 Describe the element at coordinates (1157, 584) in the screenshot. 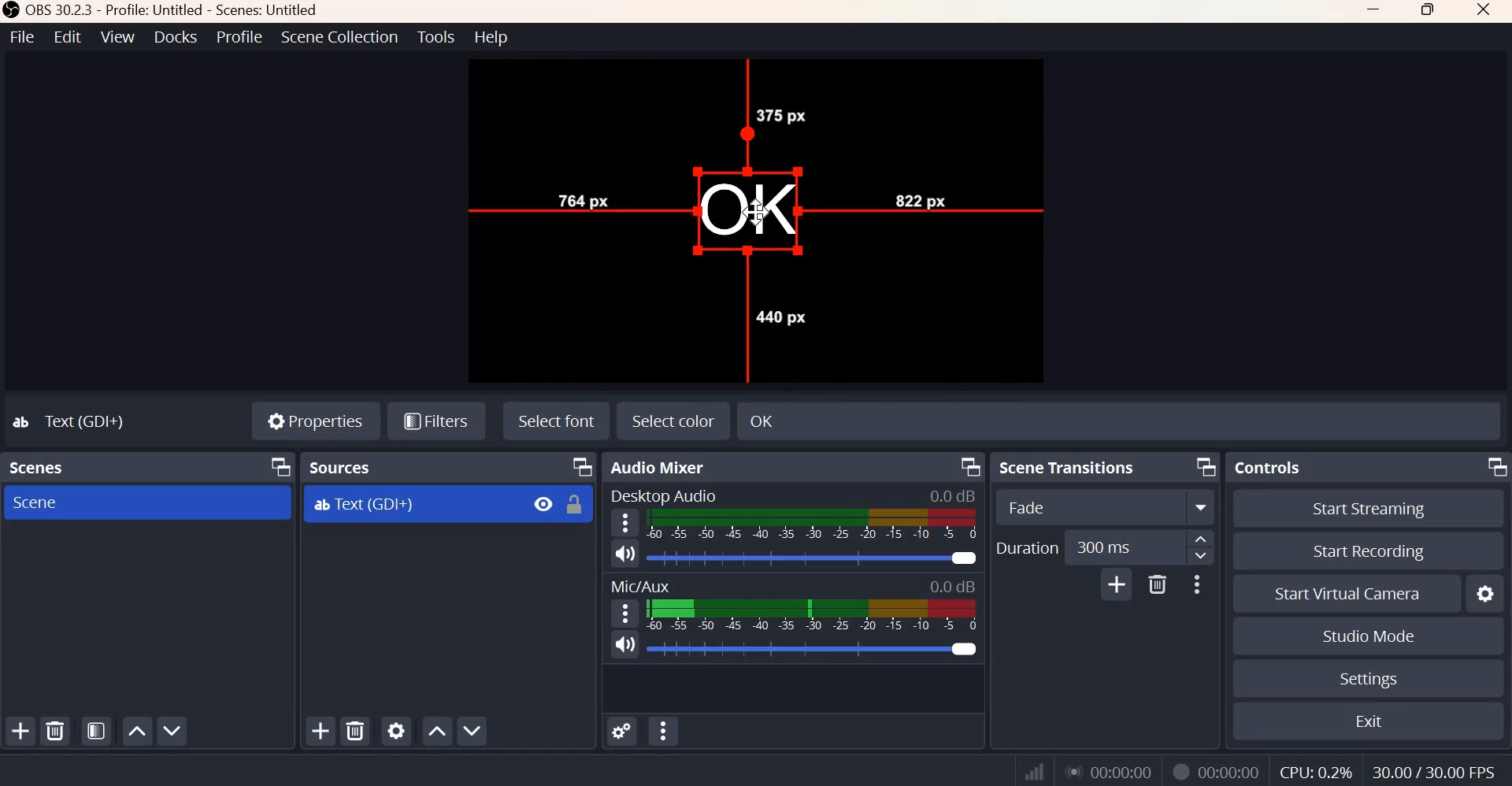

I see `Delete Transition` at that location.